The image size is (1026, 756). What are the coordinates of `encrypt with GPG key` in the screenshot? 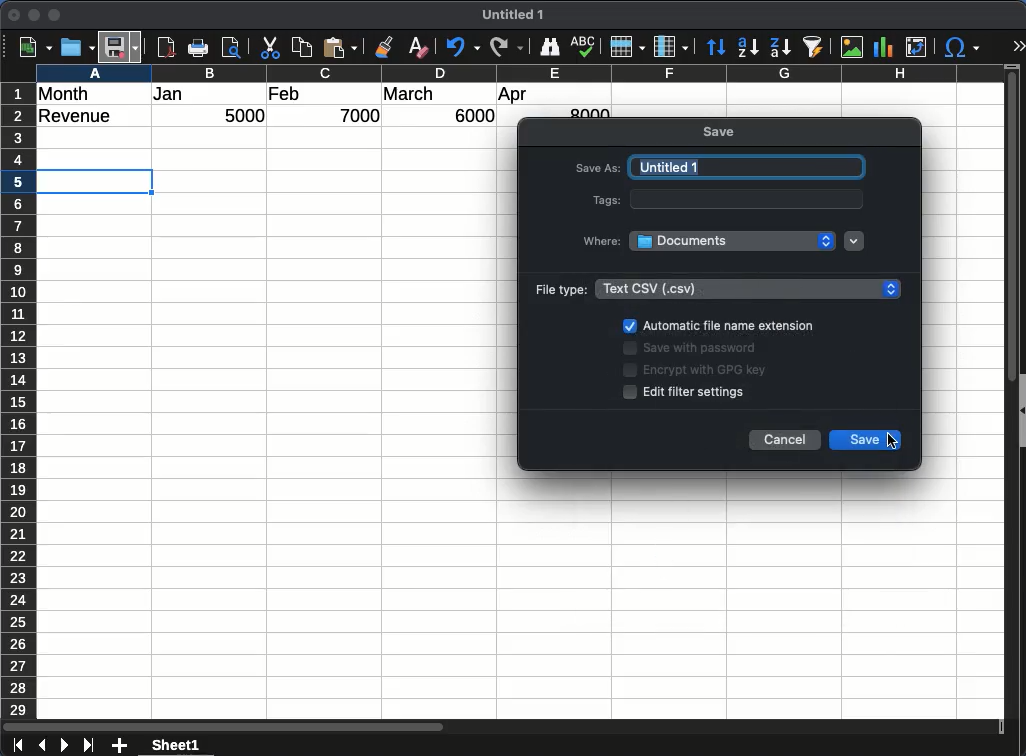 It's located at (705, 372).